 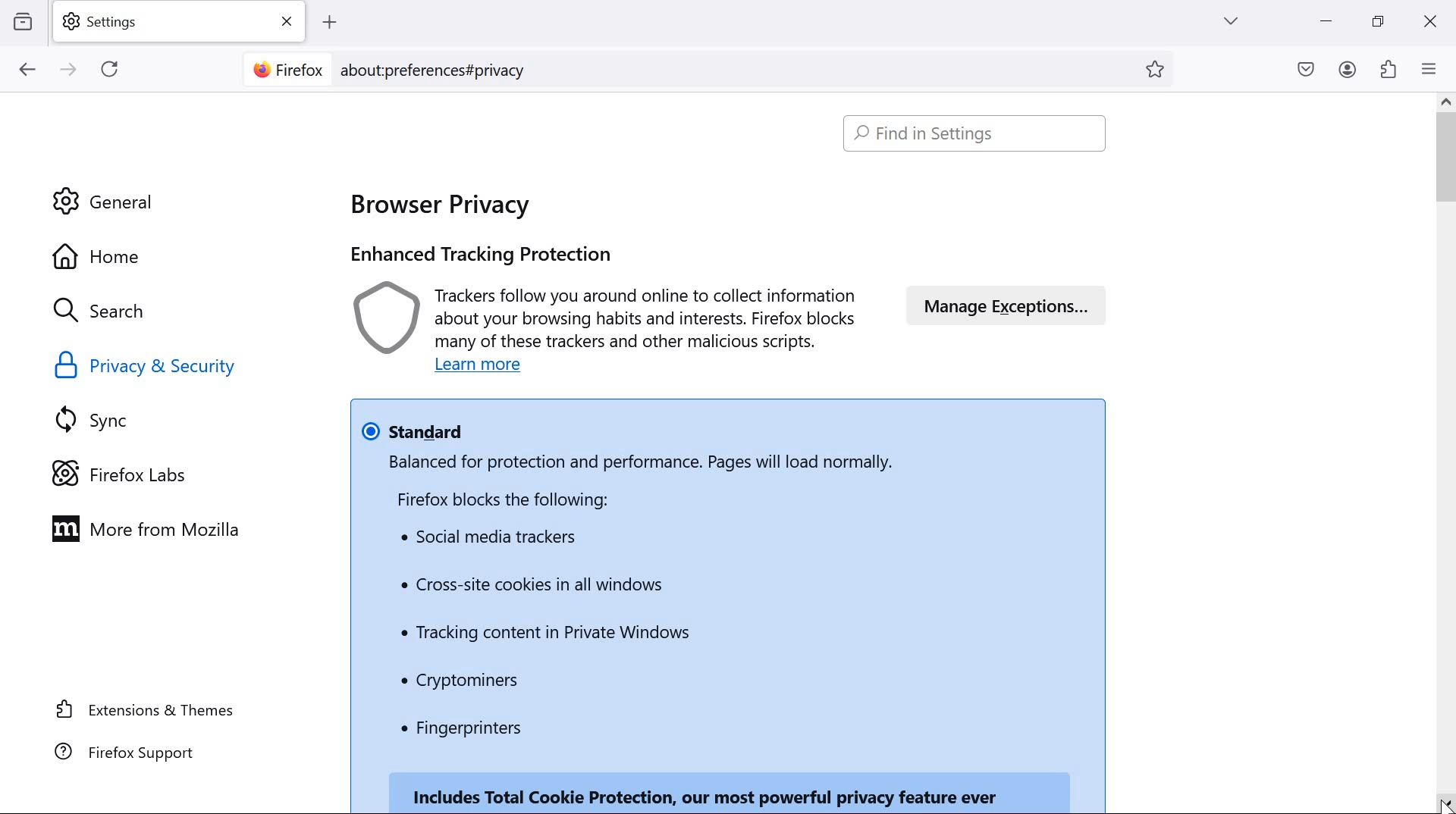 What do you see at coordinates (128, 751) in the screenshot?
I see `Firefox support` at bounding box center [128, 751].